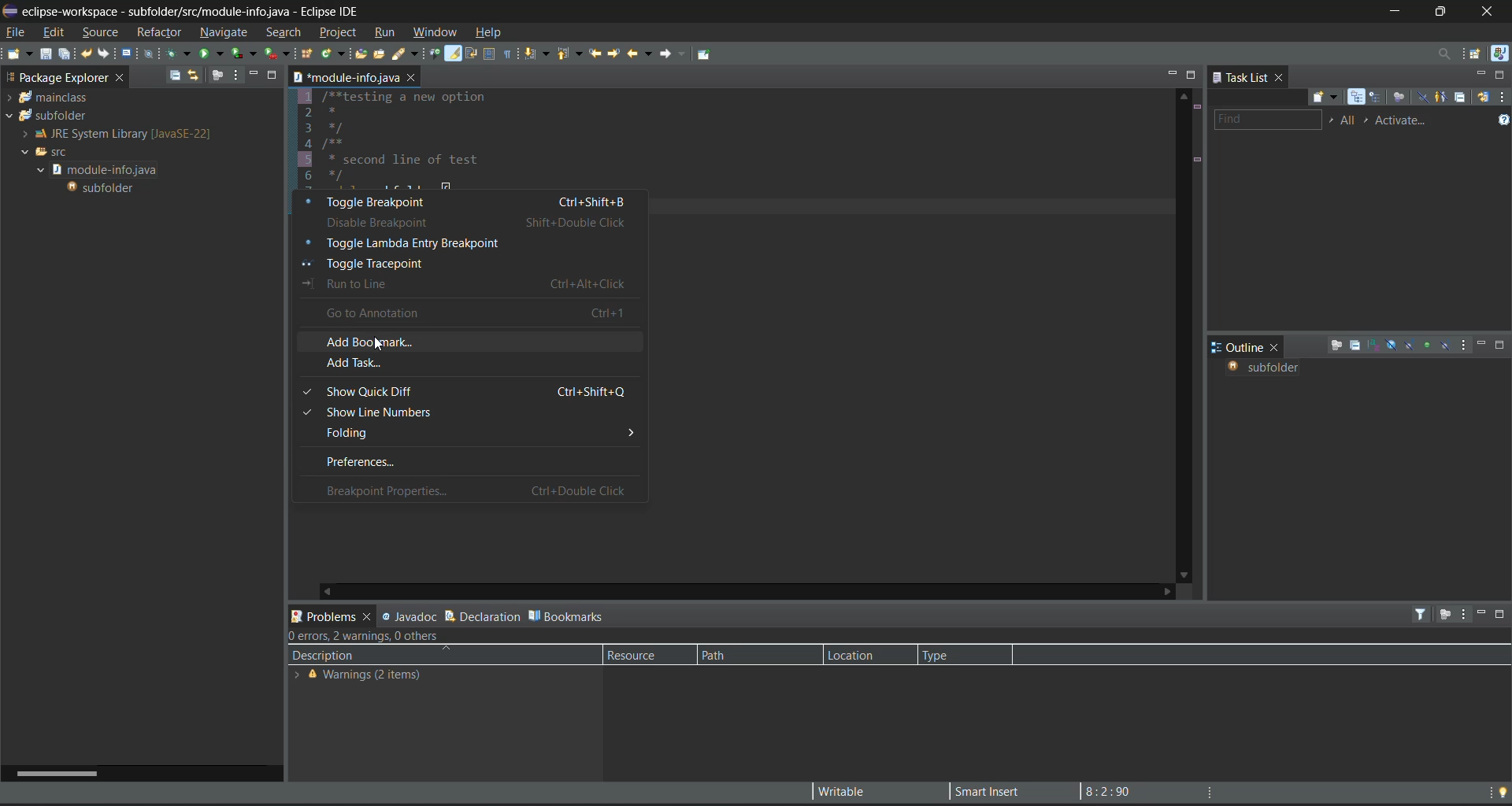 This screenshot has width=1512, height=806. I want to click on maximize, so click(1501, 75).